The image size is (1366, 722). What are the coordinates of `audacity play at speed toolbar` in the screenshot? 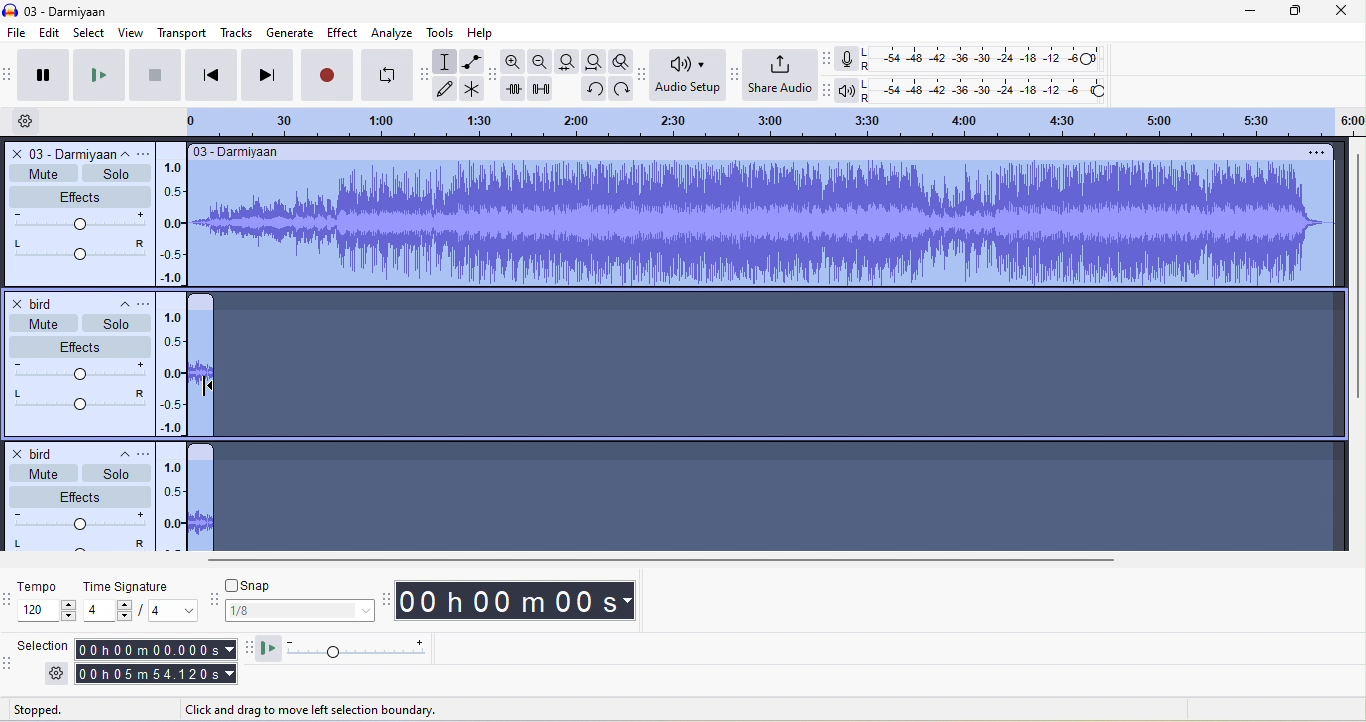 It's located at (248, 649).